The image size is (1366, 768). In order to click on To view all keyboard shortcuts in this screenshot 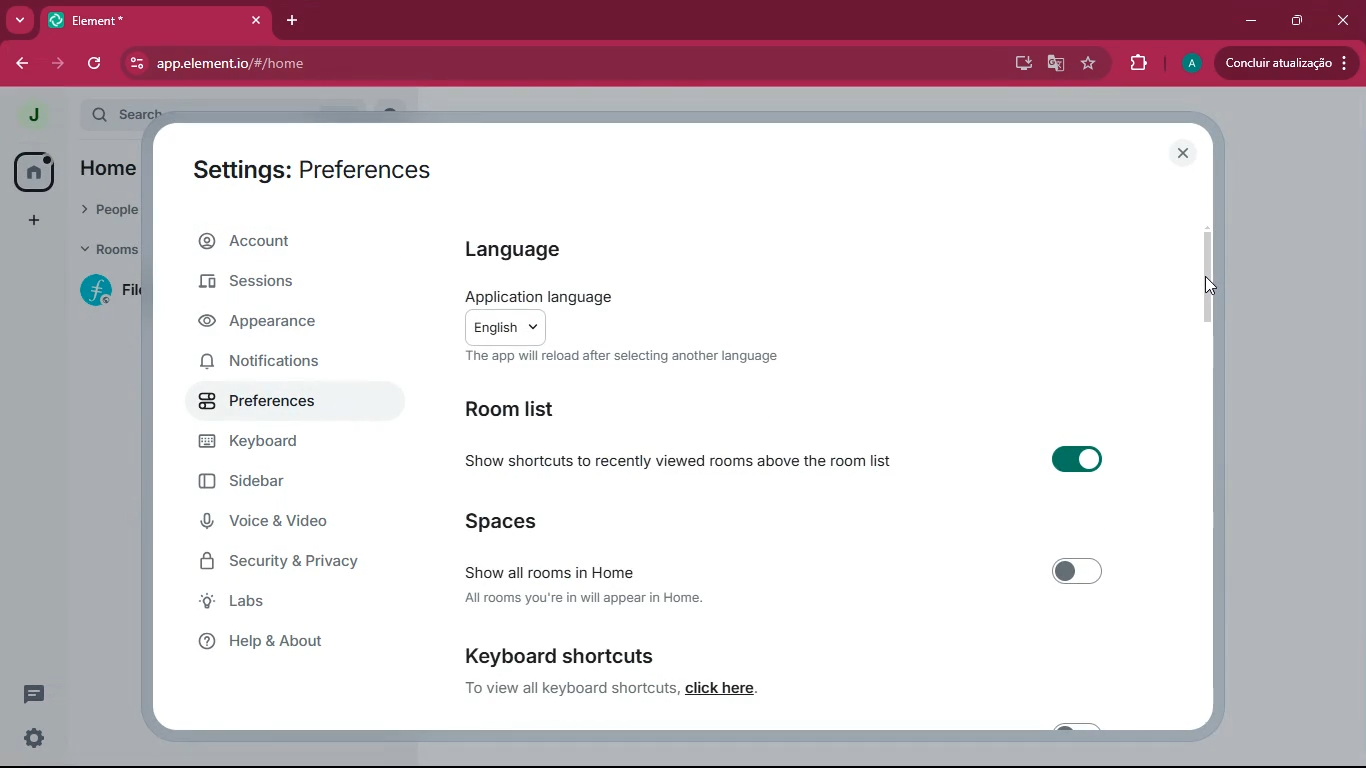, I will do `click(571, 688)`.